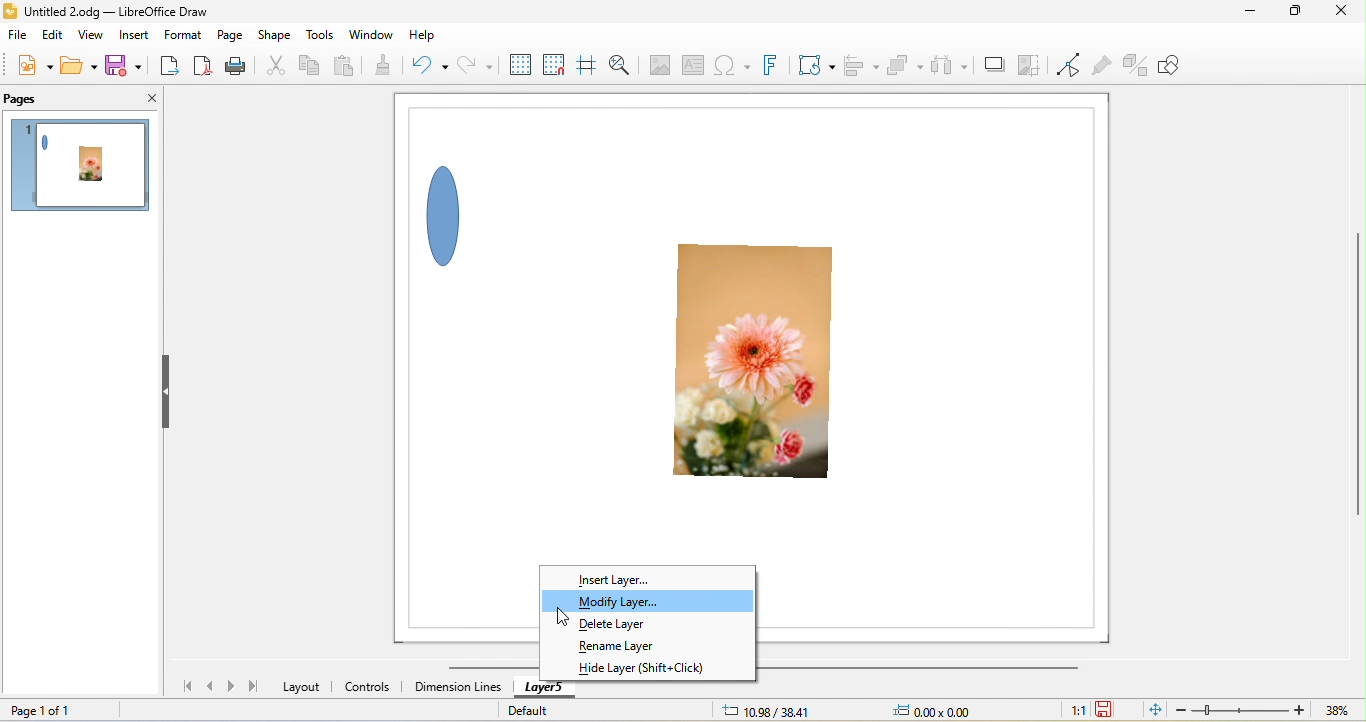 Image resolution: width=1366 pixels, height=722 pixels. Describe the element at coordinates (168, 64) in the screenshot. I see `export` at that location.